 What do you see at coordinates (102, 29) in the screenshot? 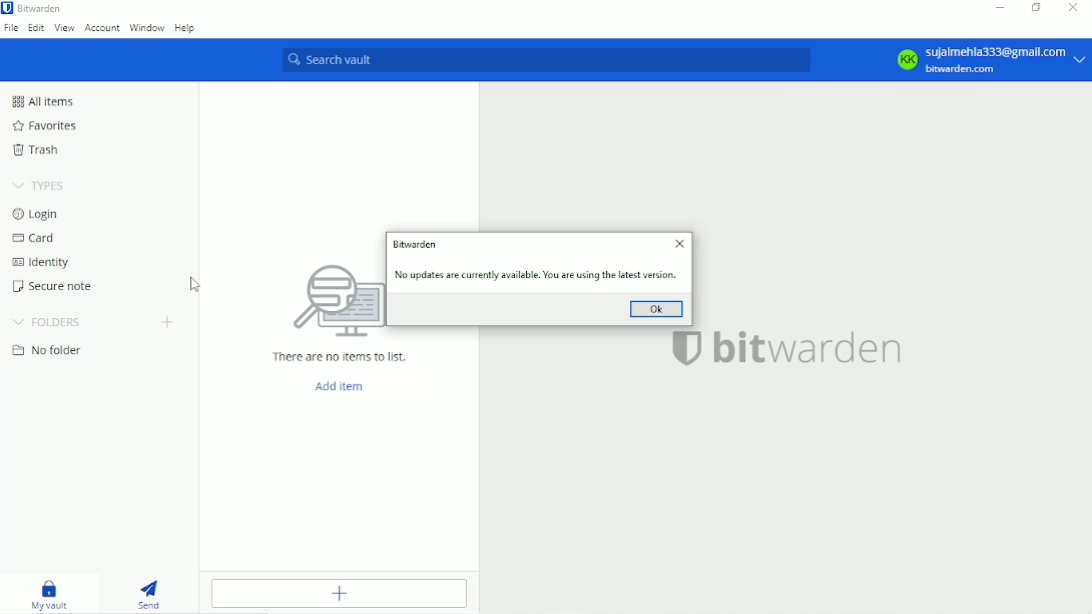
I see `Account` at bounding box center [102, 29].